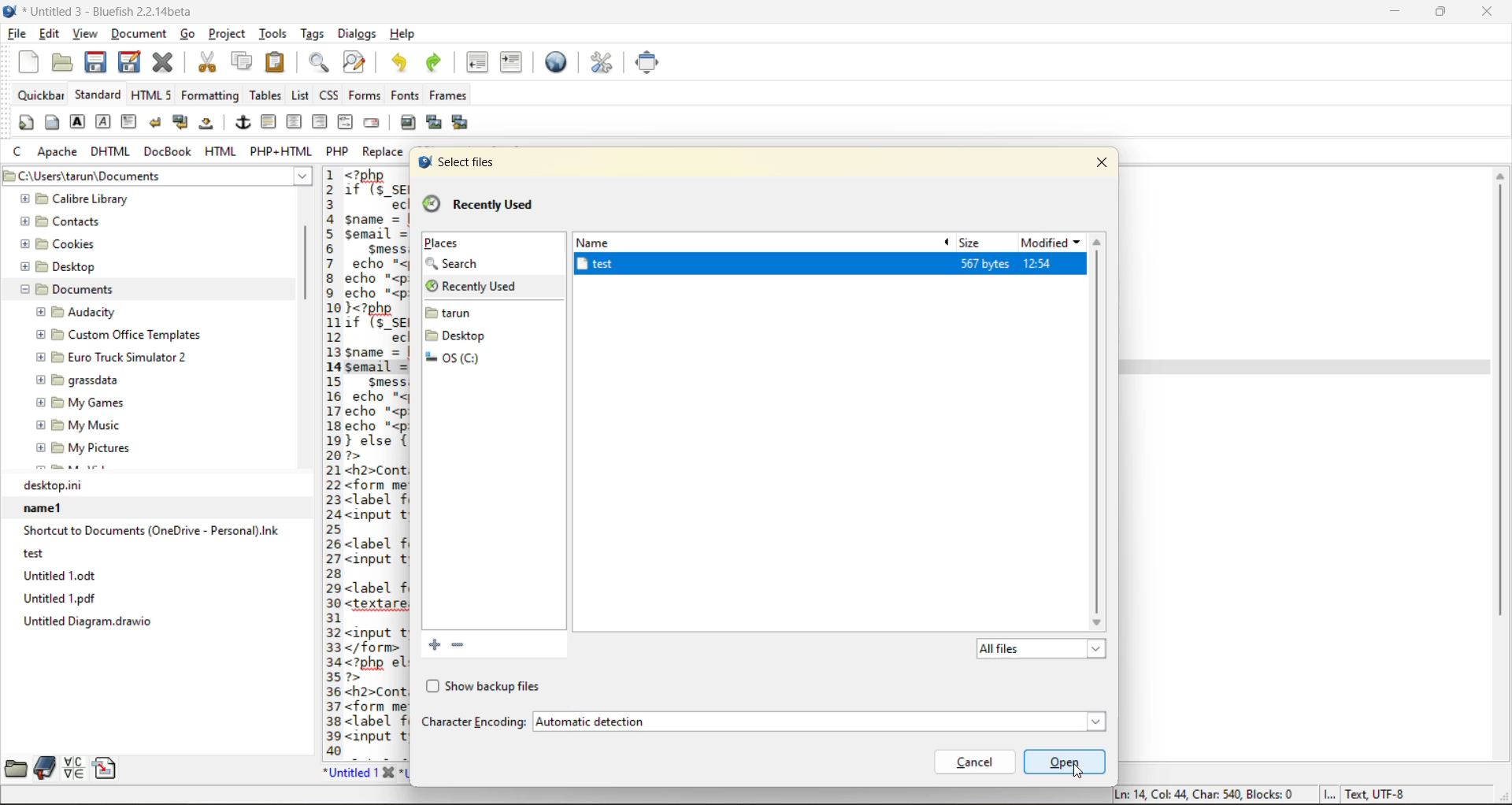 This screenshot has height=805, width=1512. Describe the element at coordinates (98, 95) in the screenshot. I see `standard` at that location.